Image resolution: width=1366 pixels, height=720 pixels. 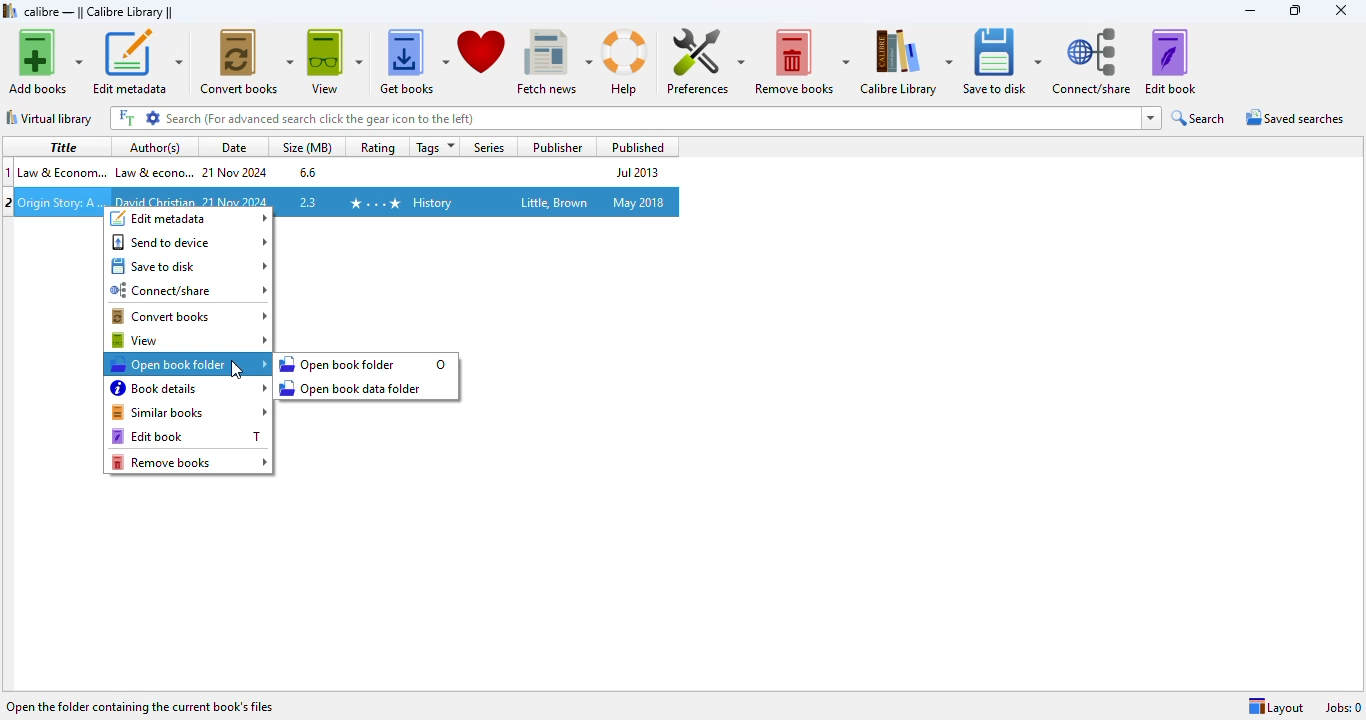 What do you see at coordinates (137, 61) in the screenshot?
I see `edit metadata` at bounding box center [137, 61].